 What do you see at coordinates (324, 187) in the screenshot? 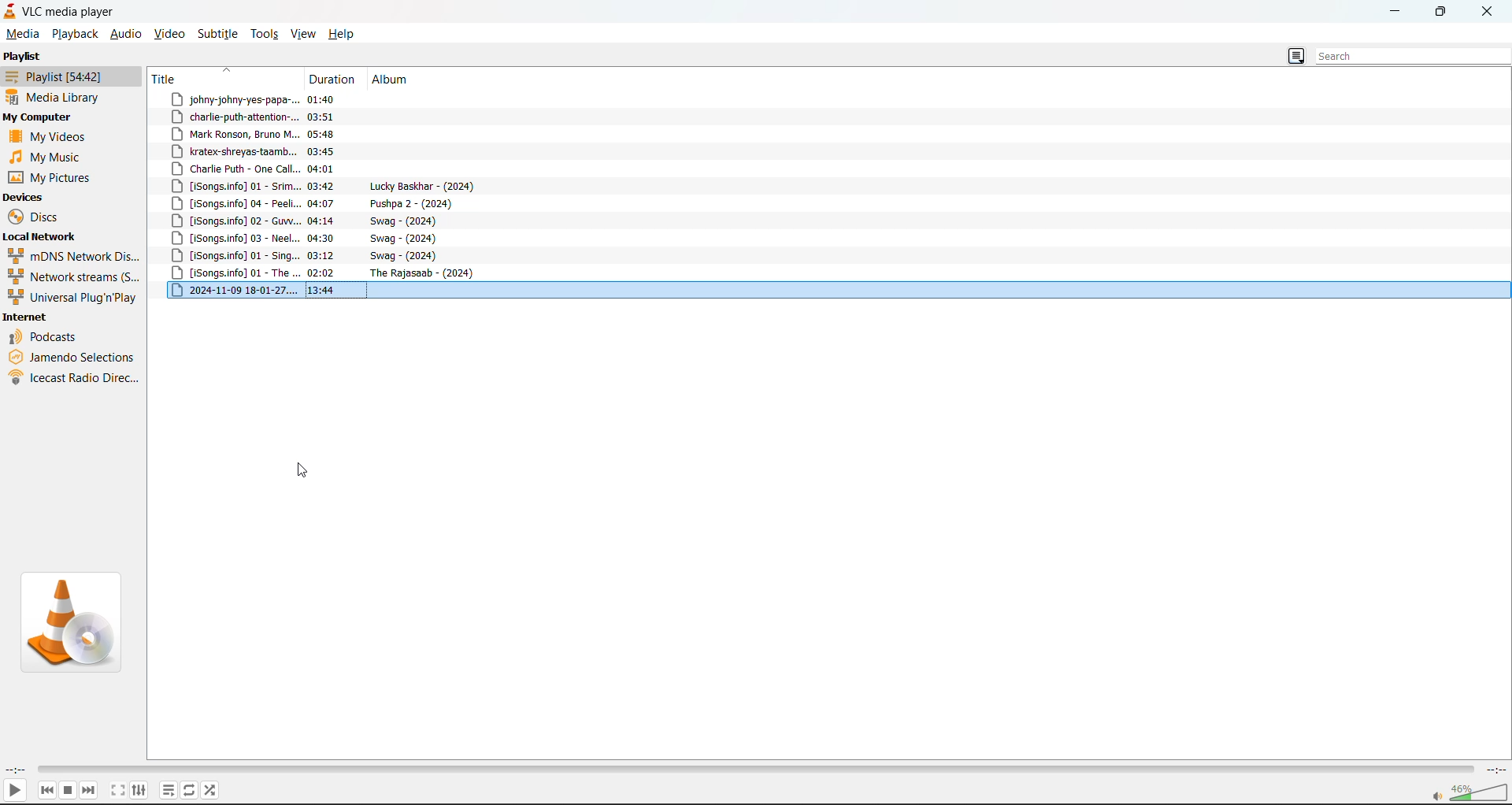
I see `track 6 title, duration and album details` at bounding box center [324, 187].